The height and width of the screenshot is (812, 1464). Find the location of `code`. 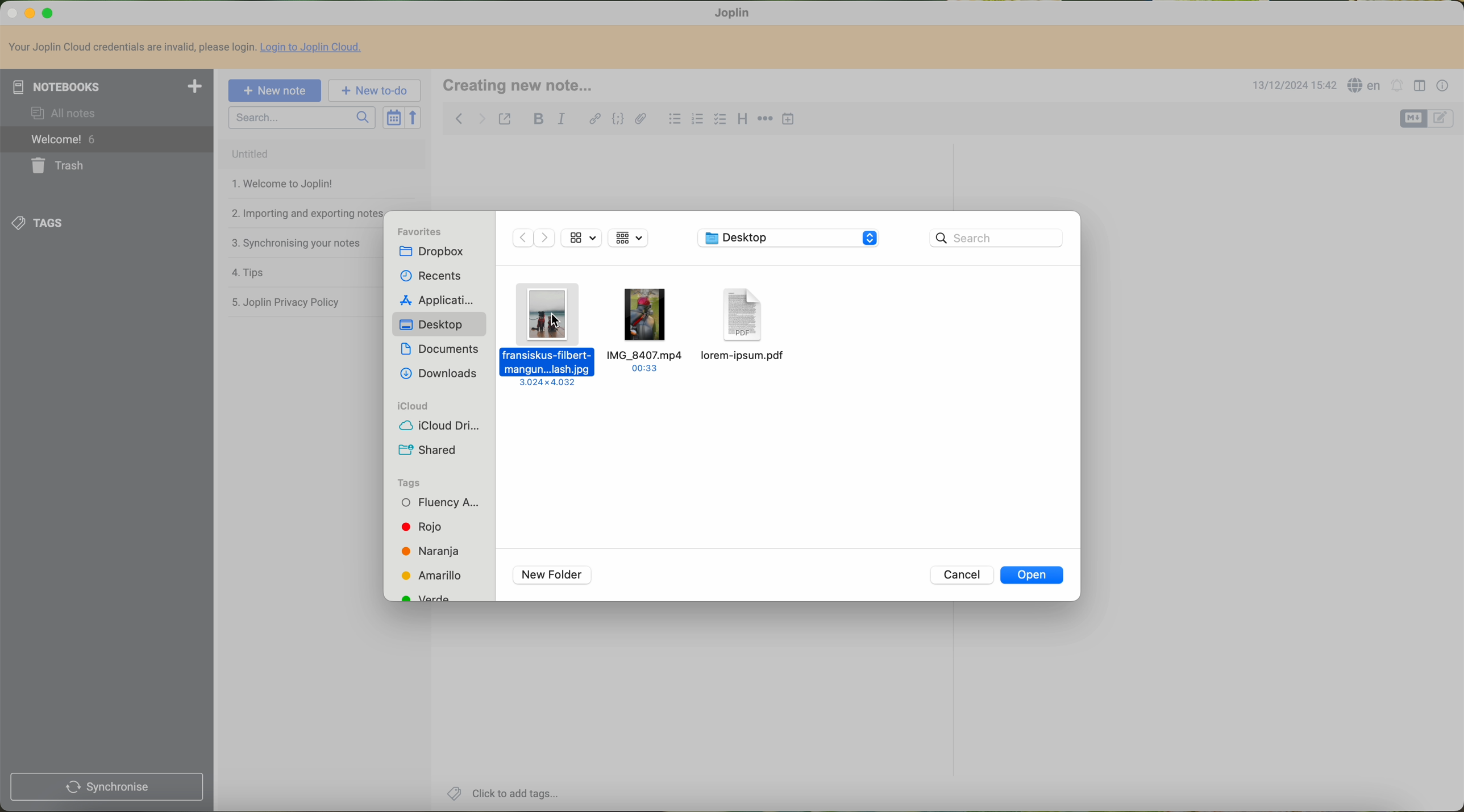

code is located at coordinates (617, 120).